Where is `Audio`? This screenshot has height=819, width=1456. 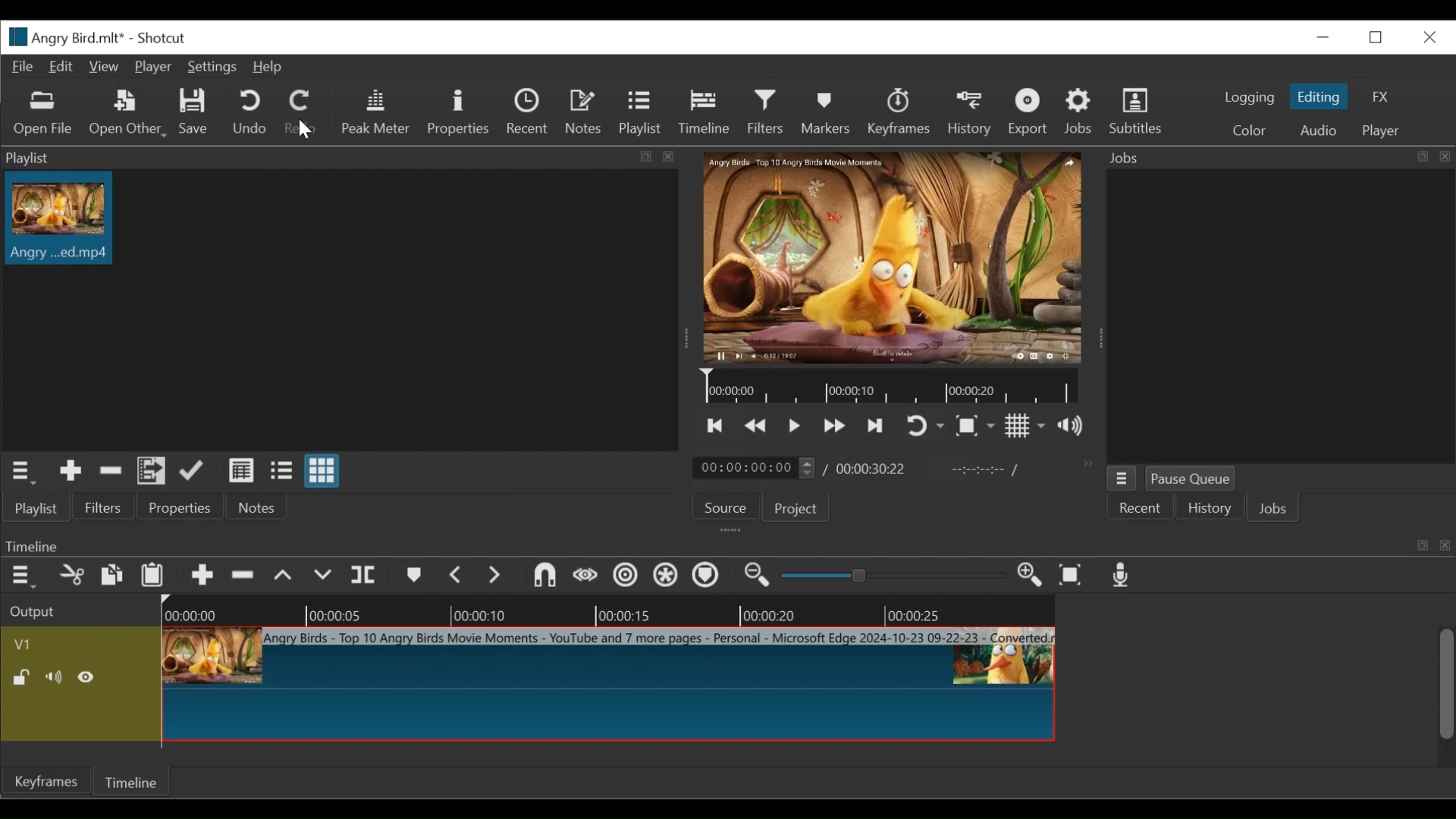 Audio is located at coordinates (1318, 131).